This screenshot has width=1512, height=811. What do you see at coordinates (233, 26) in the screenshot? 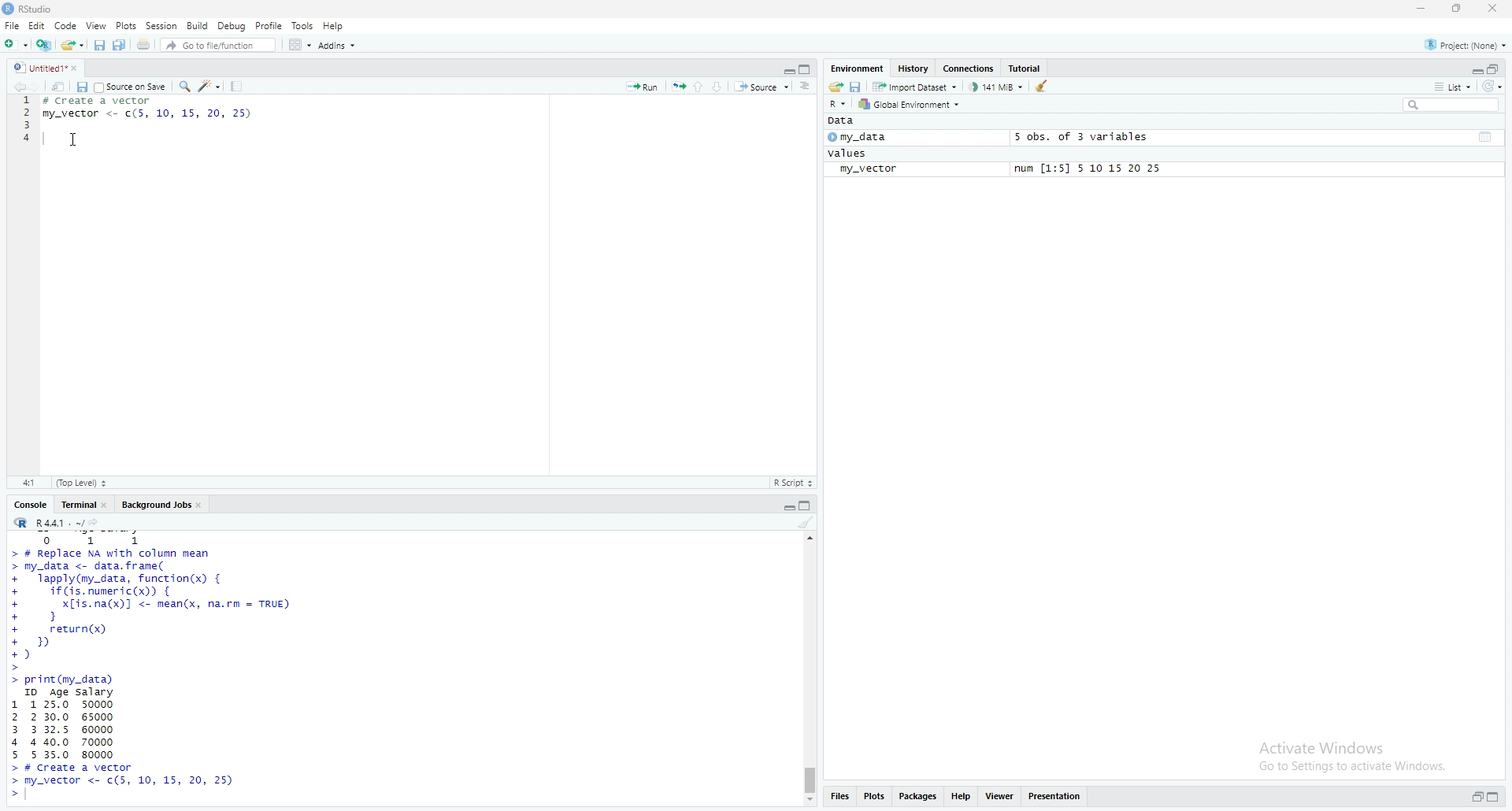
I see `Debug` at bounding box center [233, 26].